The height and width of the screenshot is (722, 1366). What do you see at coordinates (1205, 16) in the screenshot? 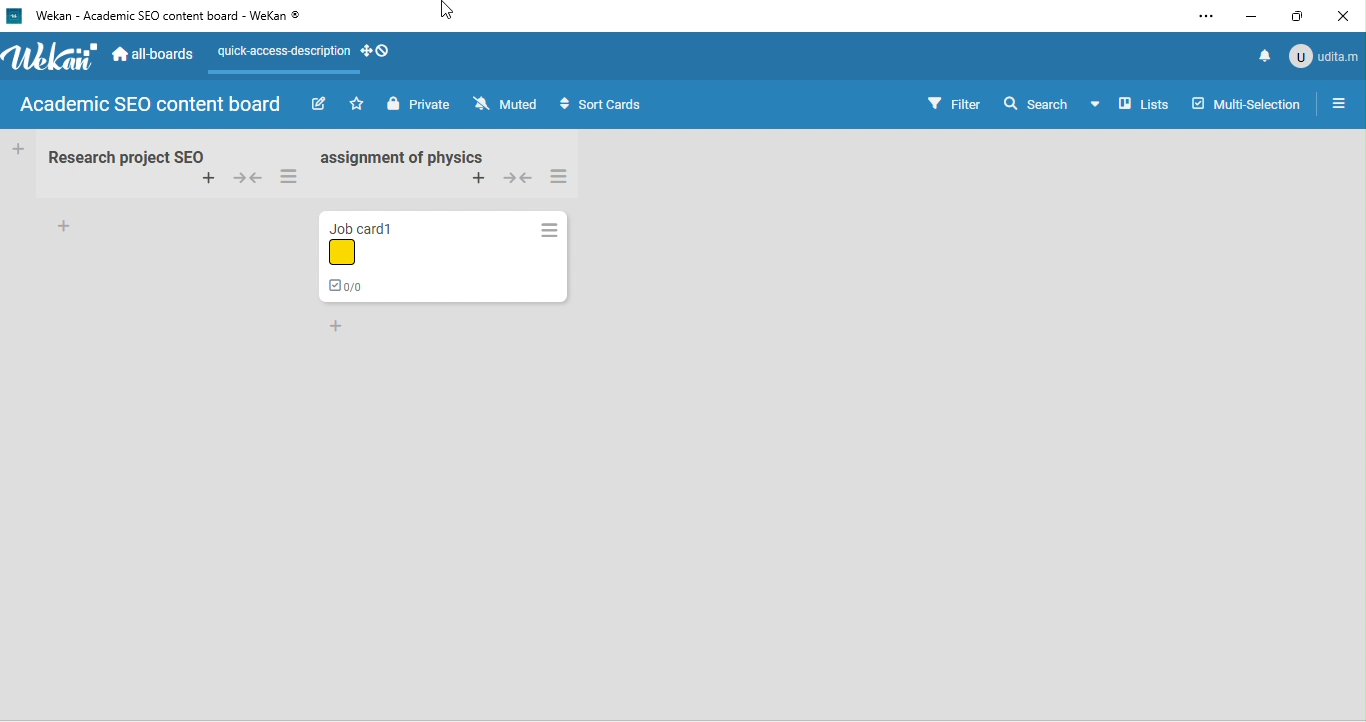
I see `settings and more` at bounding box center [1205, 16].